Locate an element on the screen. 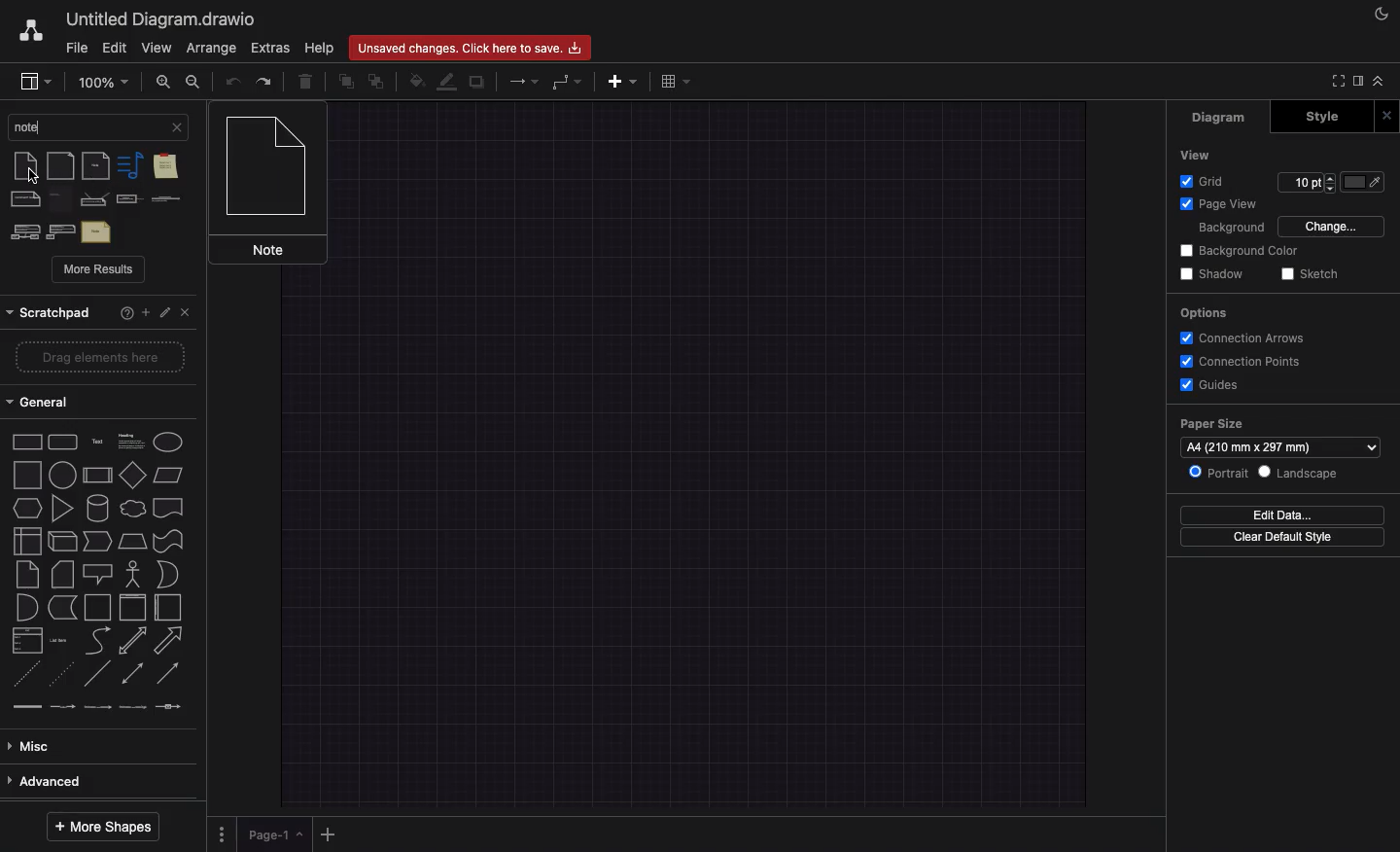 The image size is (1400, 852). trapezoid is located at coordinates (134, 543).